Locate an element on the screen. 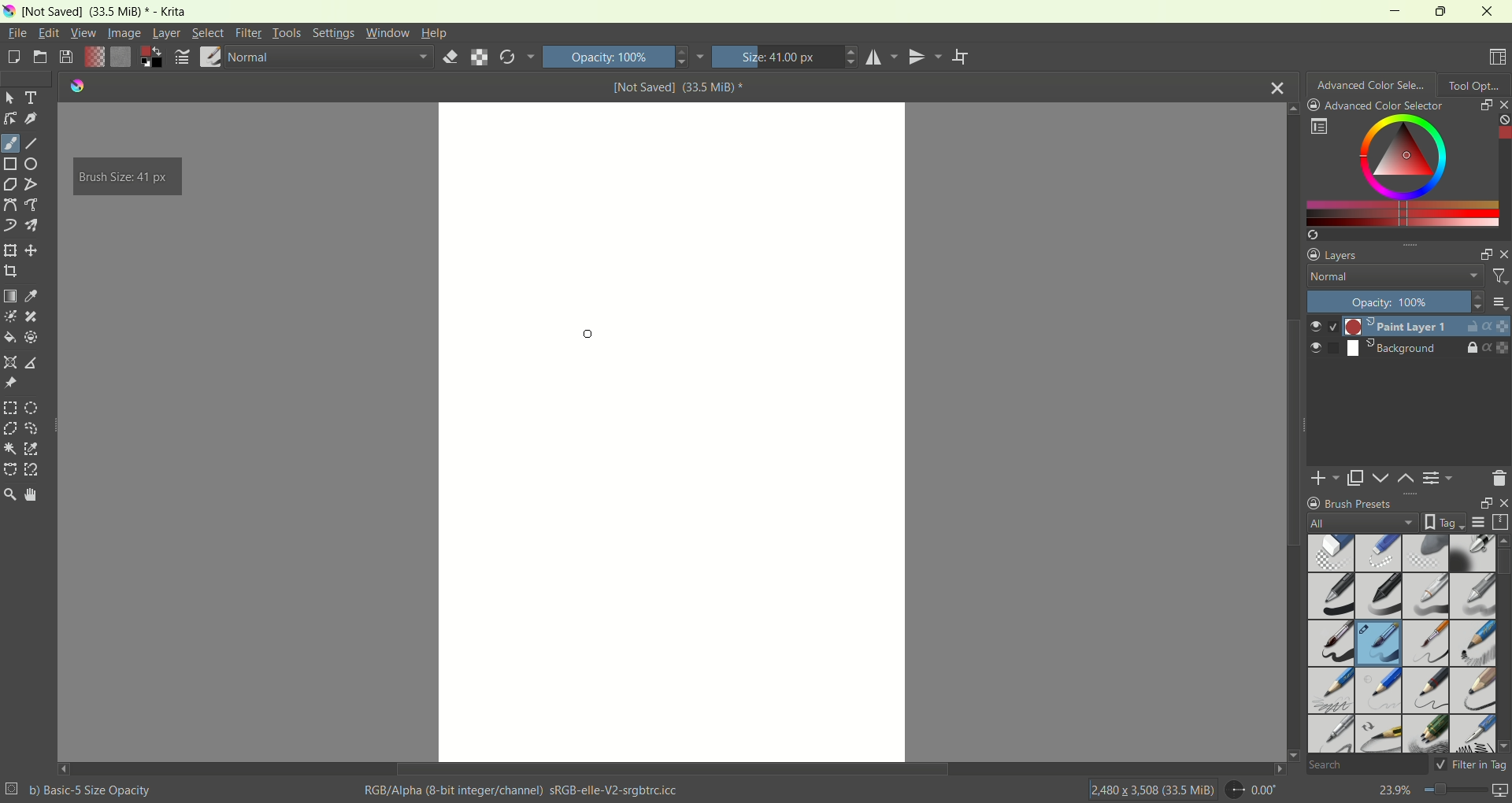 Image resolution: width=1512 pixels, height=803 pixels. [Not Saved] (33.5 MiB) * is located at coordinates (679, 87).